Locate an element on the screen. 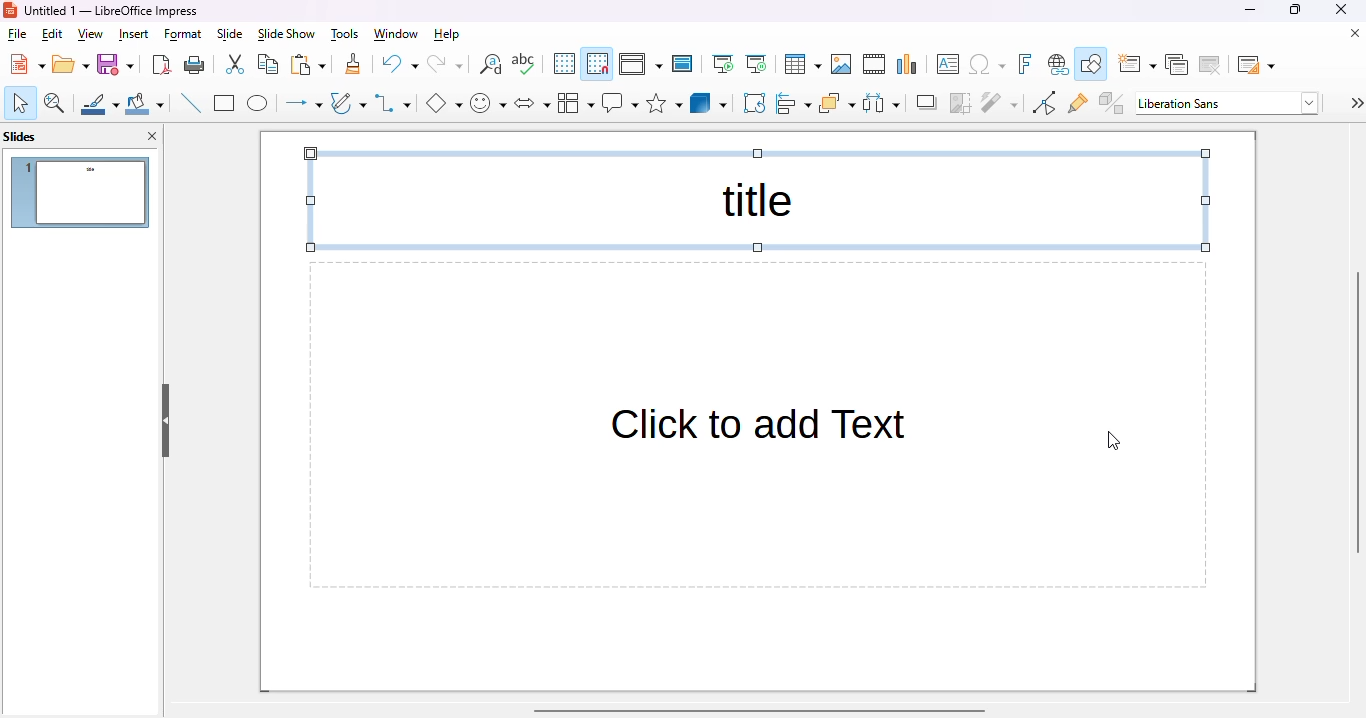 Image resolution: width=1366 pixels, height=718 pixels. block arrows is located at coordinates (532, 104).